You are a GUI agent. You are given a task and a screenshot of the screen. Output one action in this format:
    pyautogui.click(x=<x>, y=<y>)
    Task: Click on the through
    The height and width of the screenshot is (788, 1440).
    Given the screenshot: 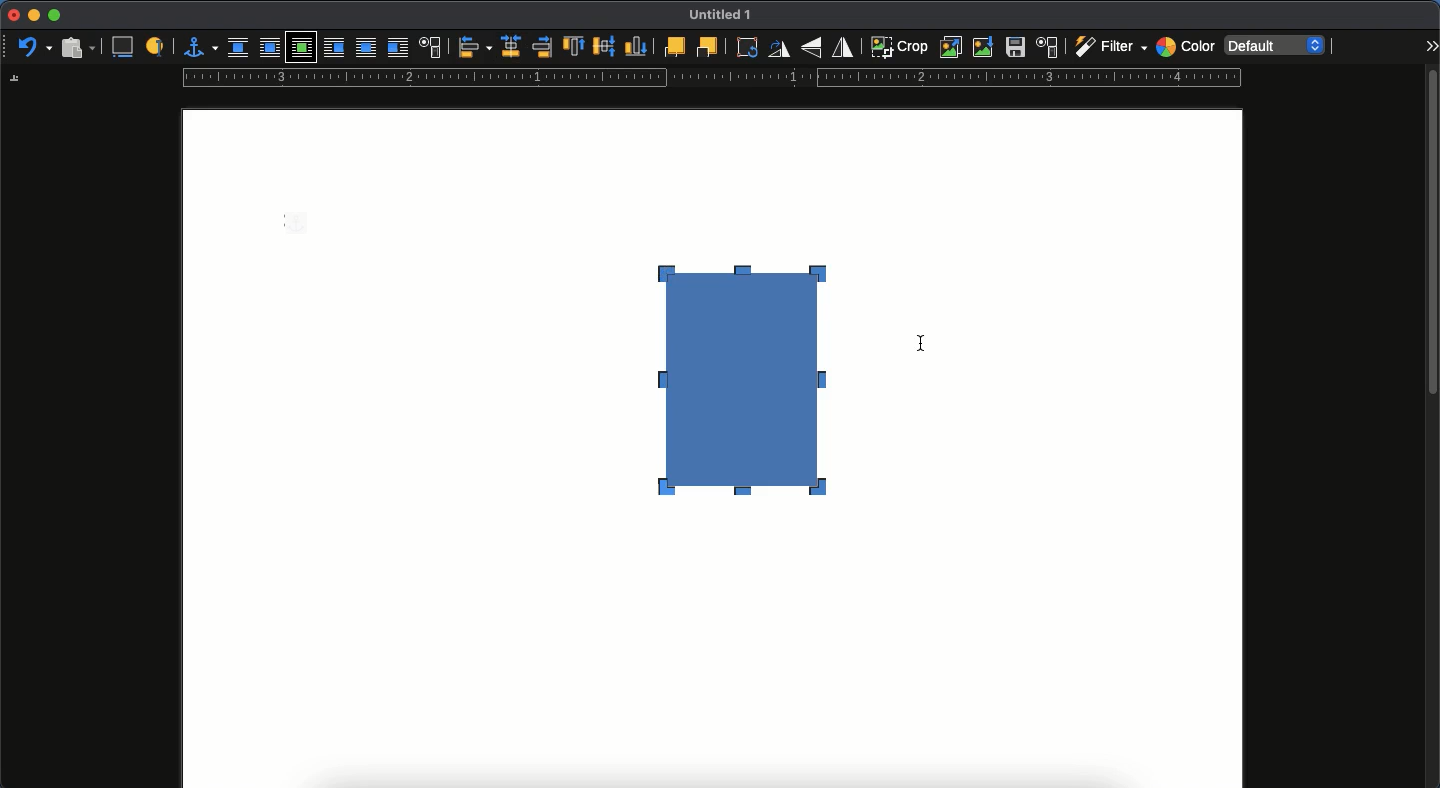 What is the action you would take?
    pyautogui.click(x=366, y=49)
    